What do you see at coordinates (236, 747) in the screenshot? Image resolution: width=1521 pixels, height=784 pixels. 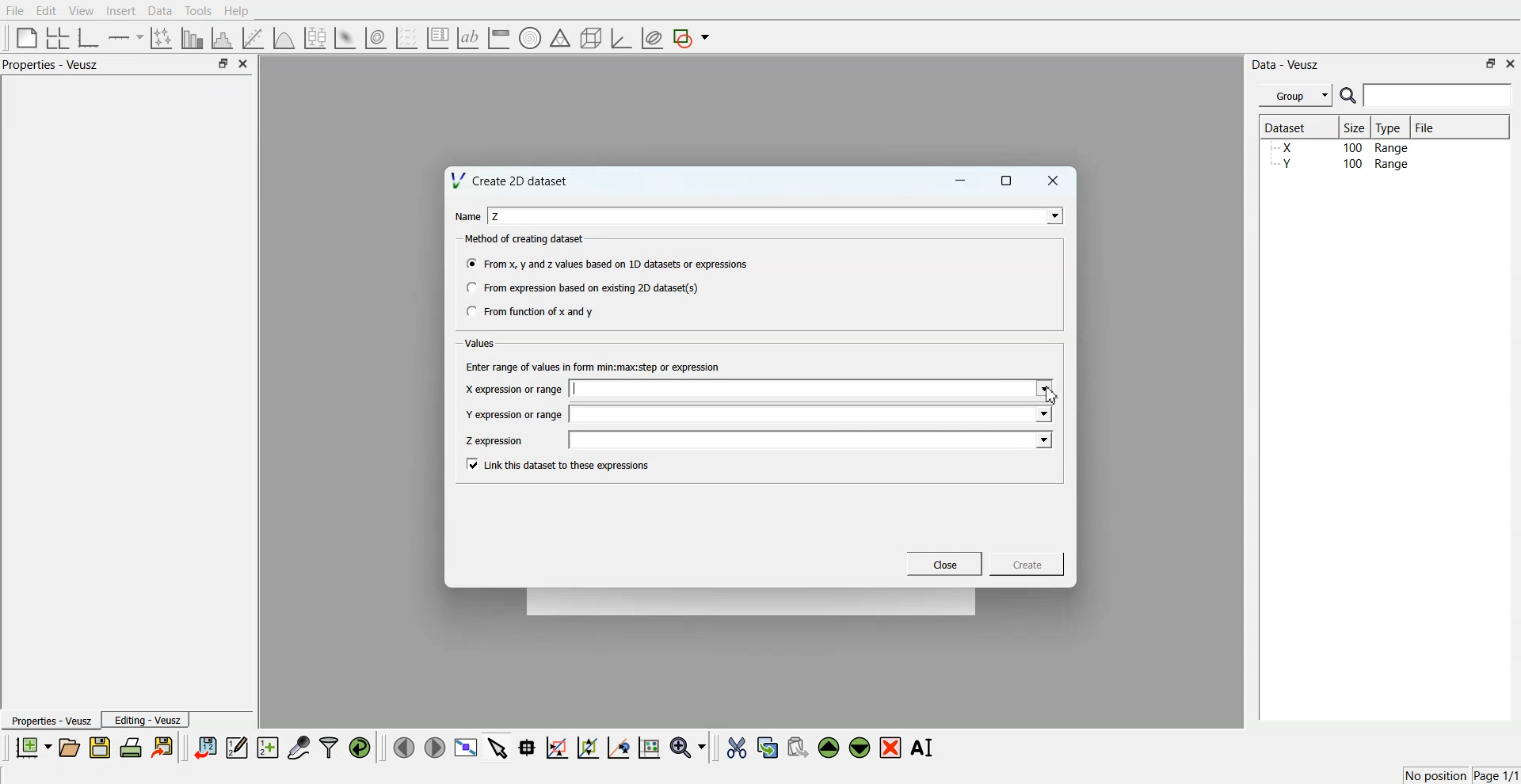 I see `Edit and enter new dataset` at bounding box center [236, 747].